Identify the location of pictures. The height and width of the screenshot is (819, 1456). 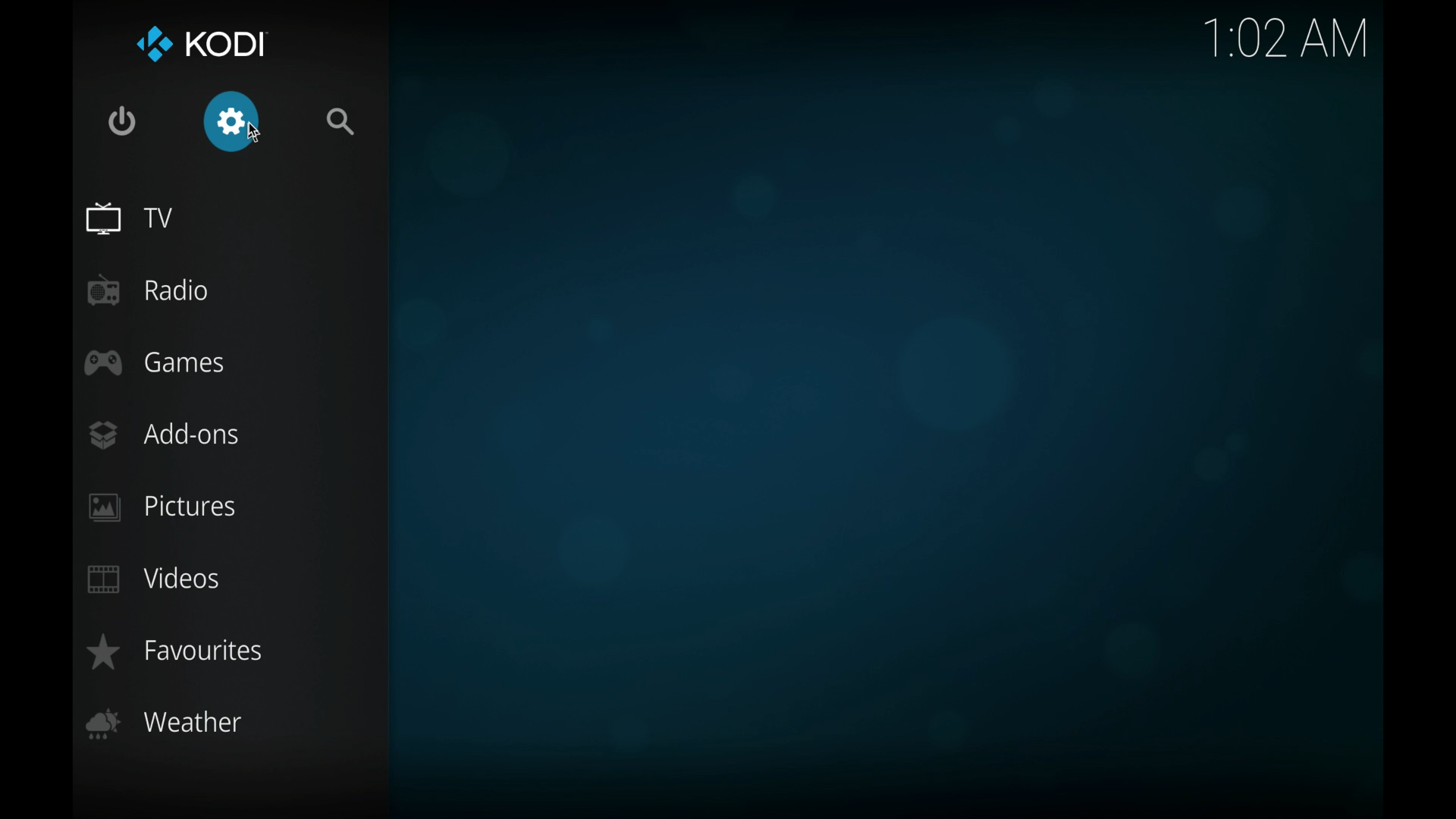
(161, 507).